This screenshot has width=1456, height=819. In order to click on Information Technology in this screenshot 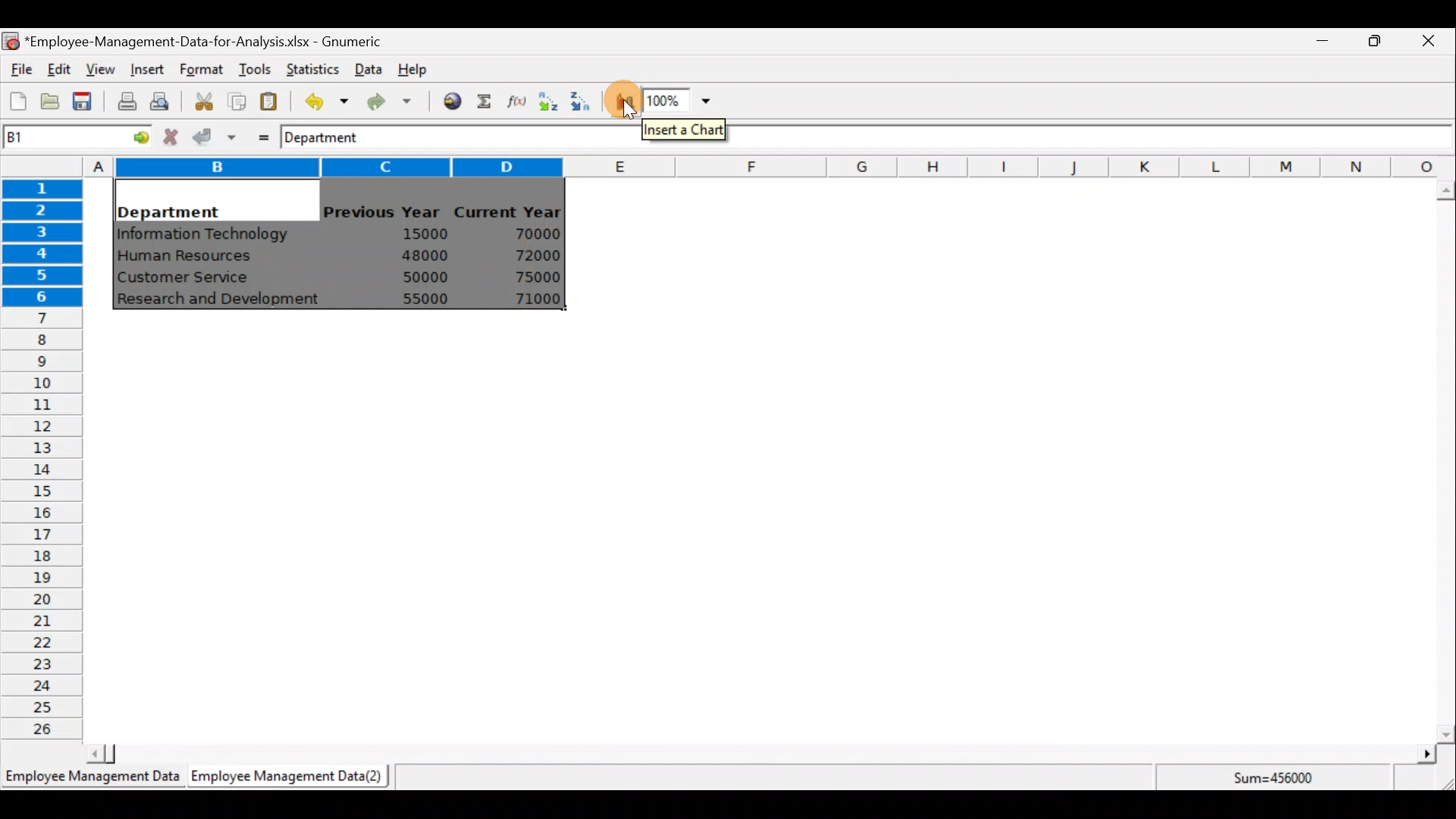, I will do `click(205, 234)`.